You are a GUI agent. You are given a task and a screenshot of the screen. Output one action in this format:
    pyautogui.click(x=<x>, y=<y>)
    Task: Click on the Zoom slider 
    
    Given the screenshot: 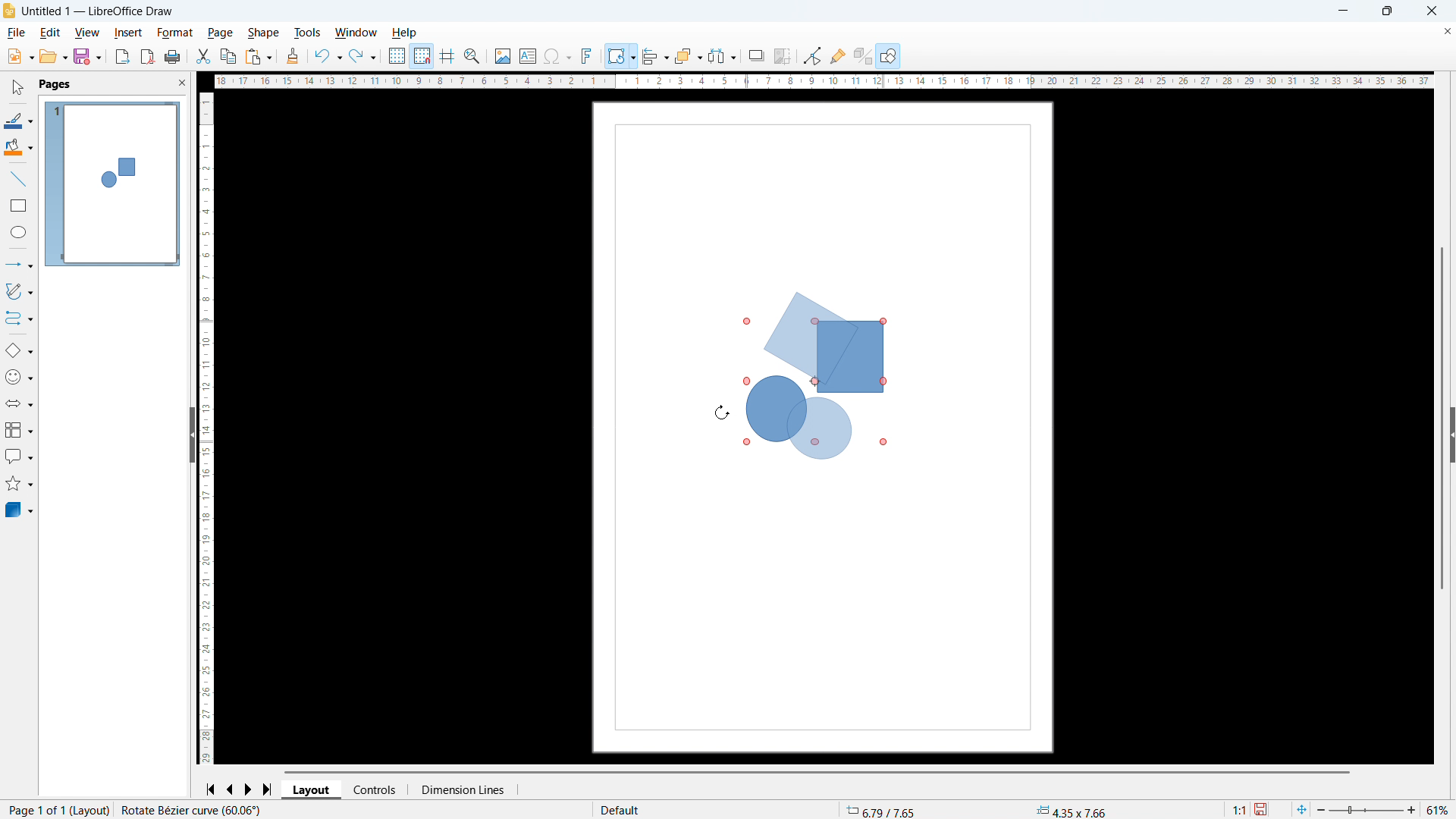 What is the action you would take?
    pyautogui.click(x=1365, y=809)
    